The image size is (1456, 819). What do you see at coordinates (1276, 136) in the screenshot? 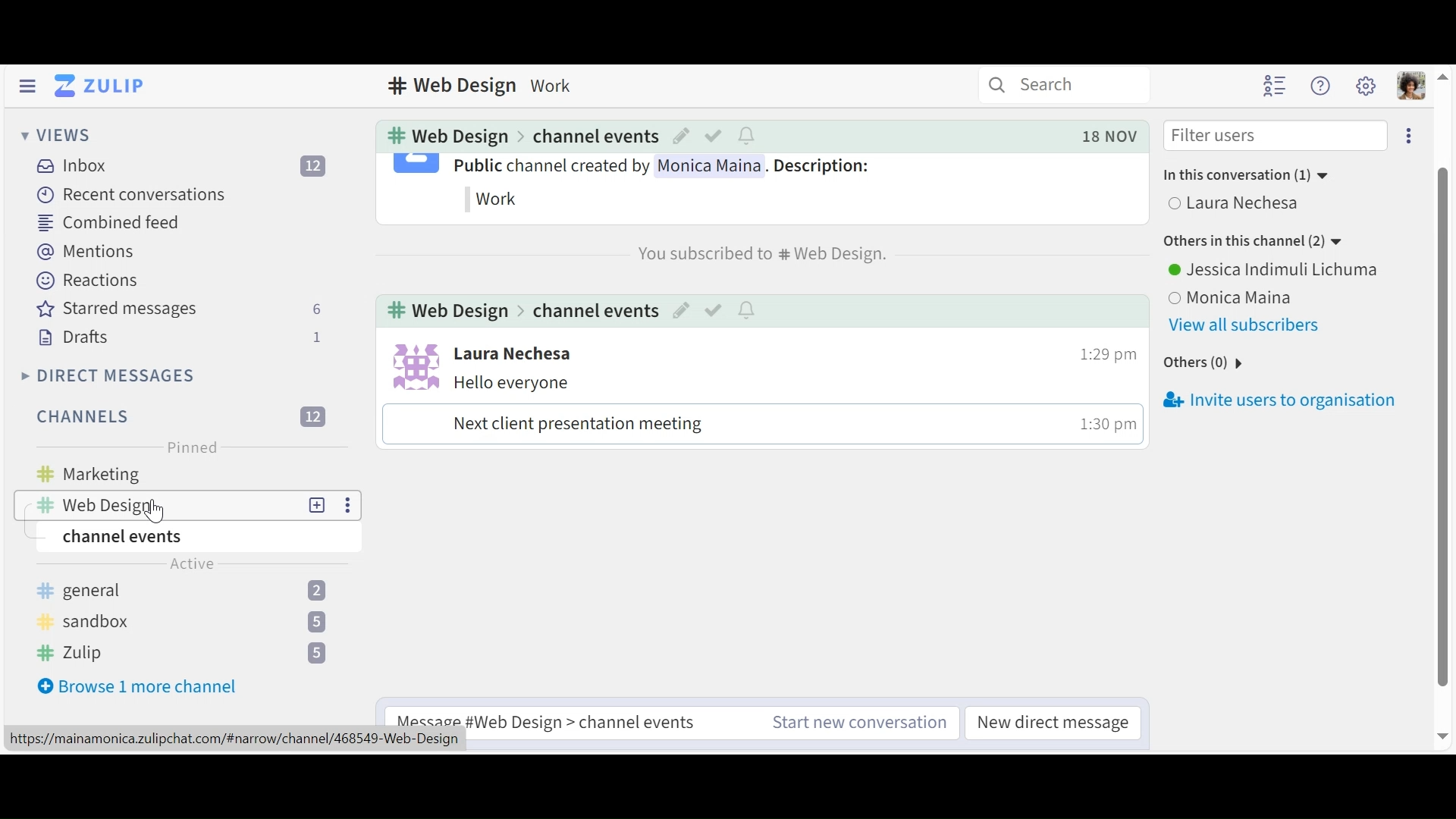
I see `Filter users` at bounding box center [1276, 136].